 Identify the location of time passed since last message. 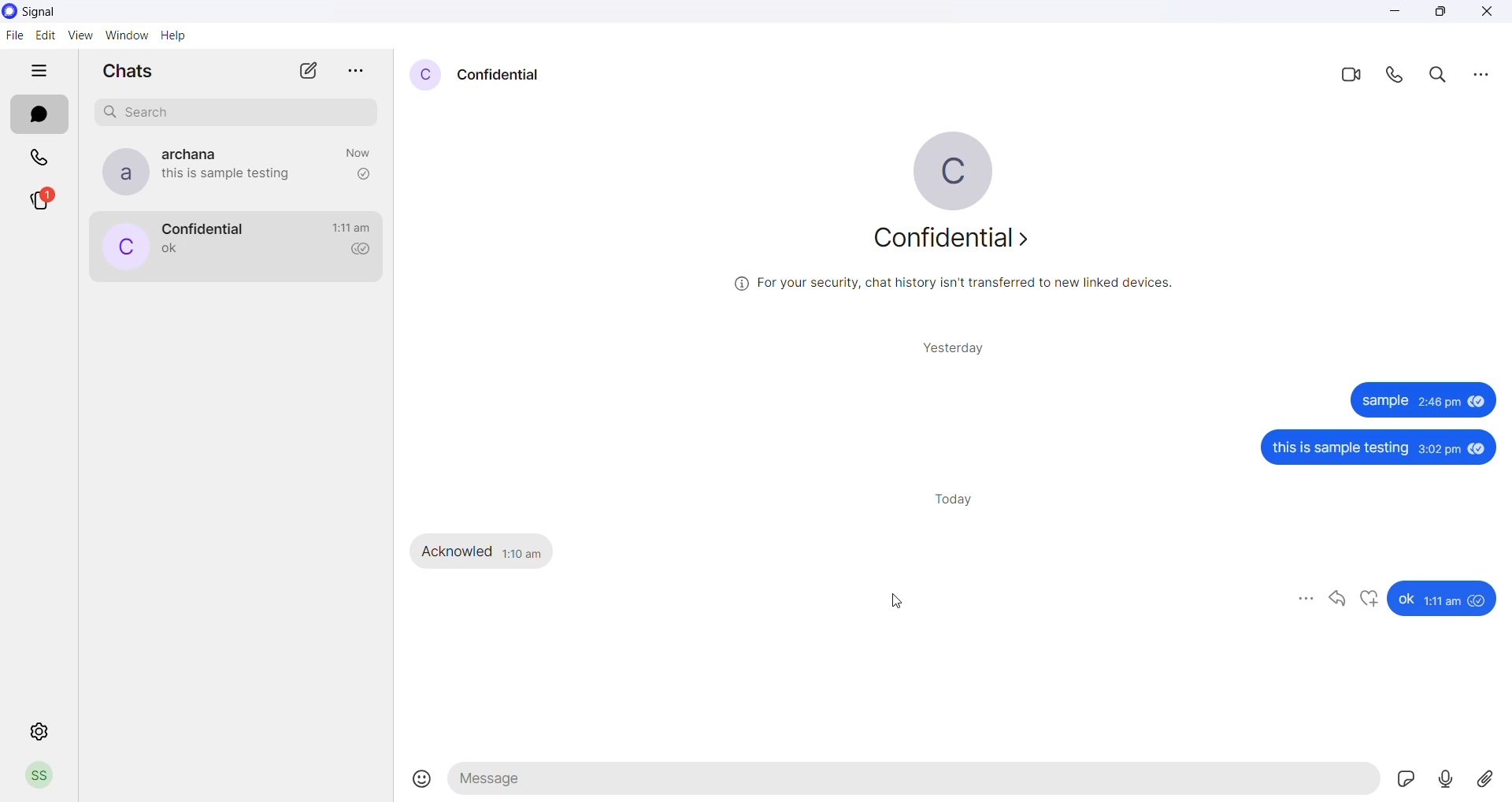
(361, 150).